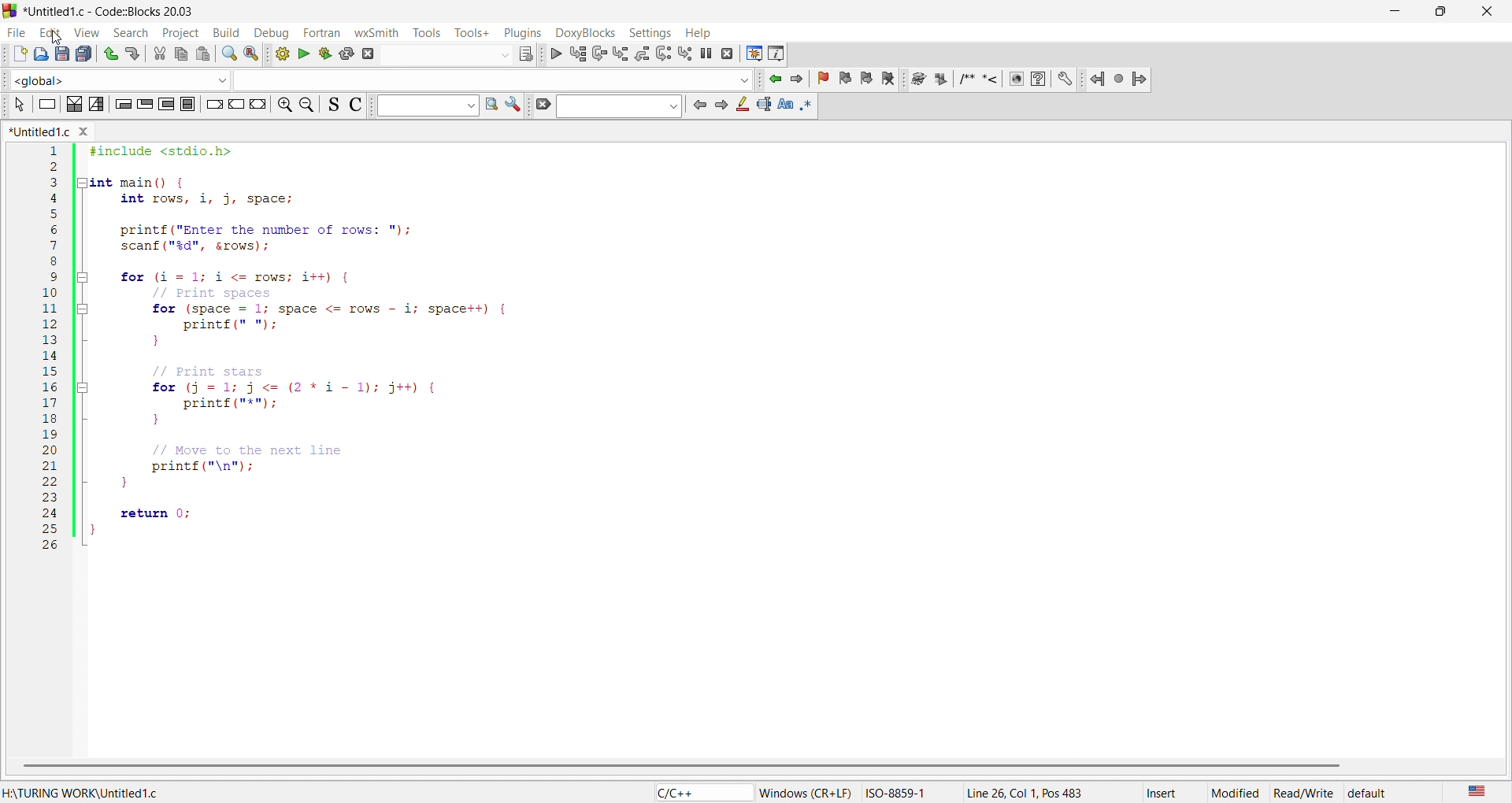 The image size is (1512, 803). Describe the element at coordinates (1402, 12) in the screenshot. I see `minimize` at that location.